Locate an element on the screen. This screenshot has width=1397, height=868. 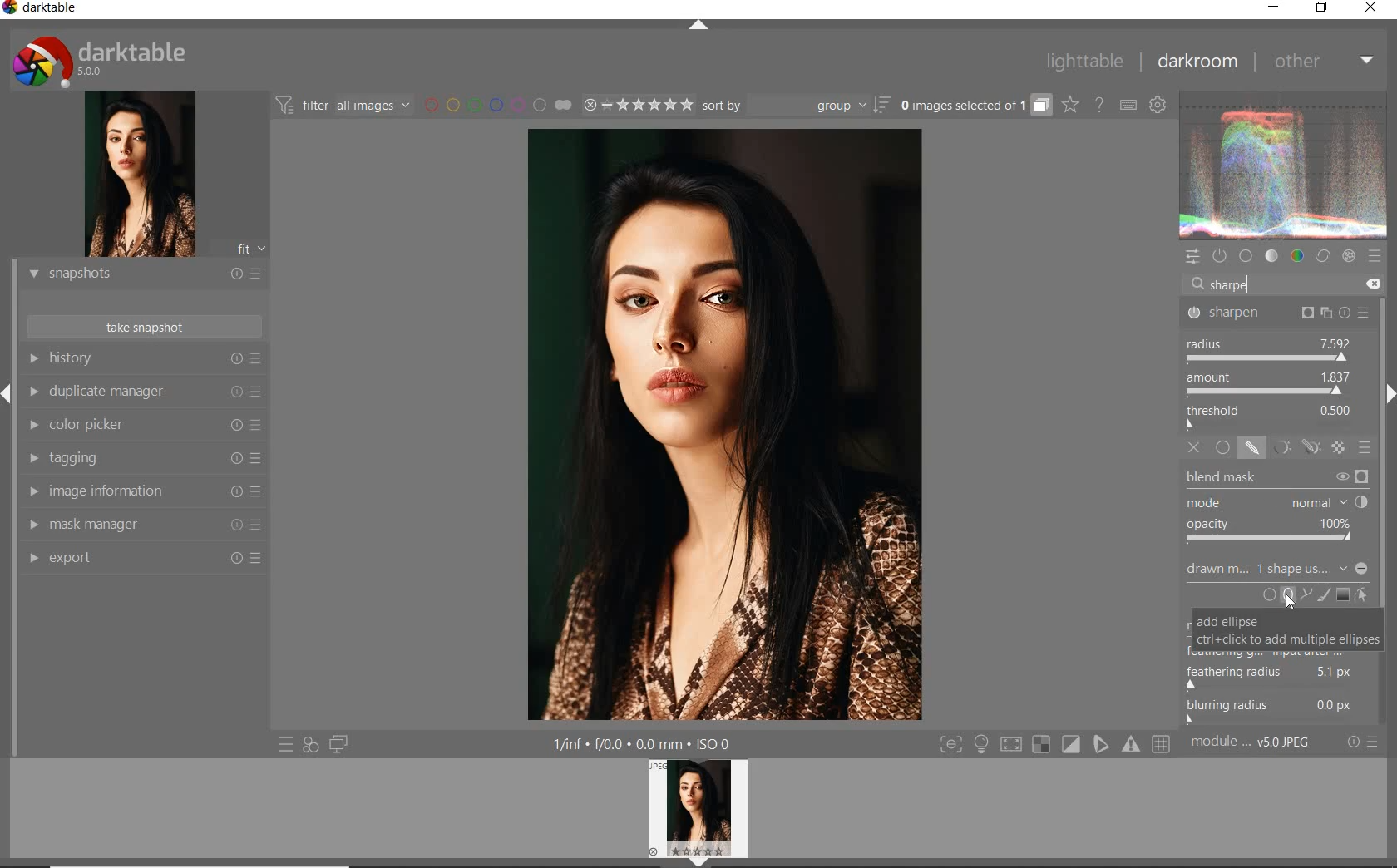
task bar is located at coordinates (1385, 512).